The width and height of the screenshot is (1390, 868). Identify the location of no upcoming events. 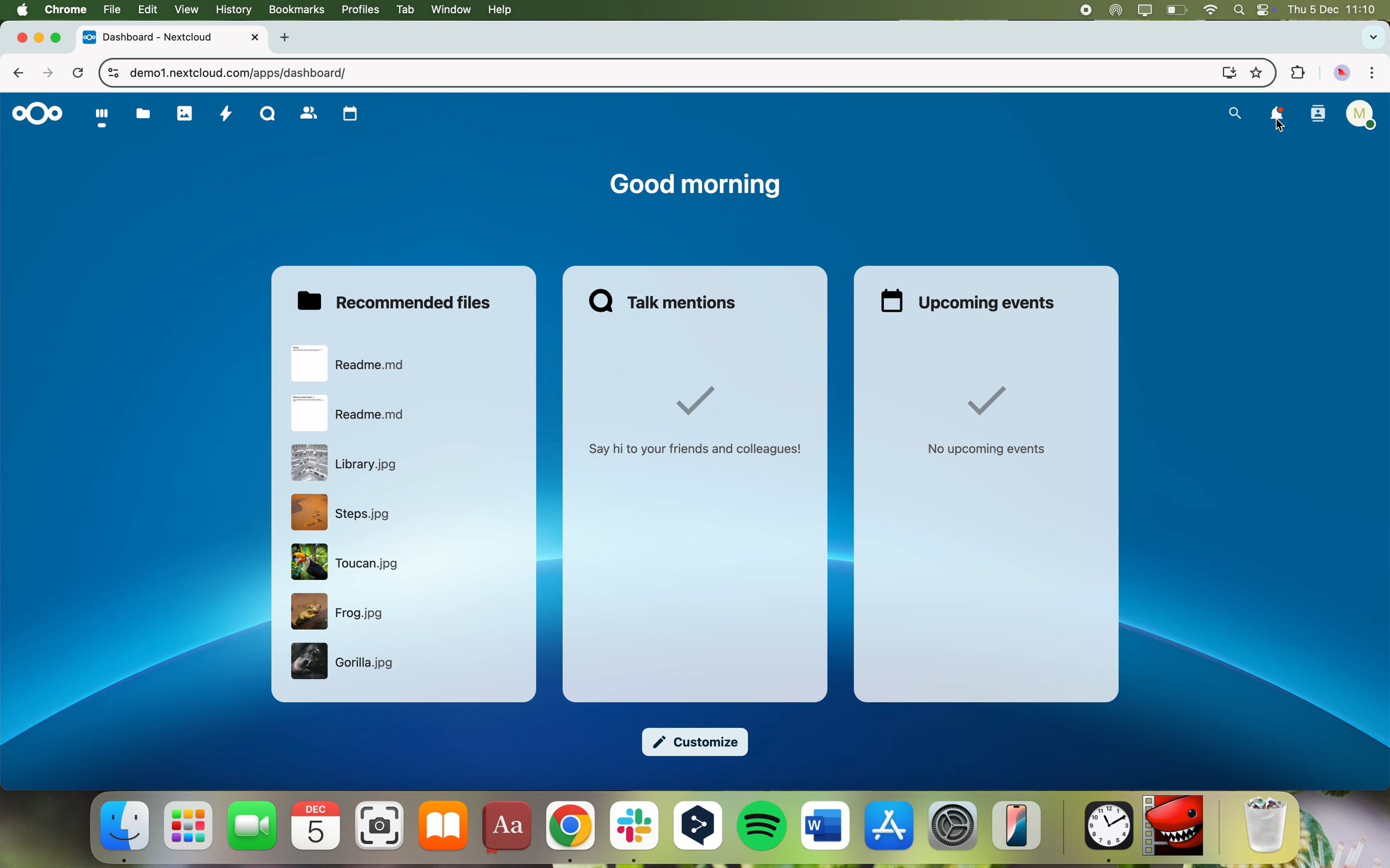
(987, 423).